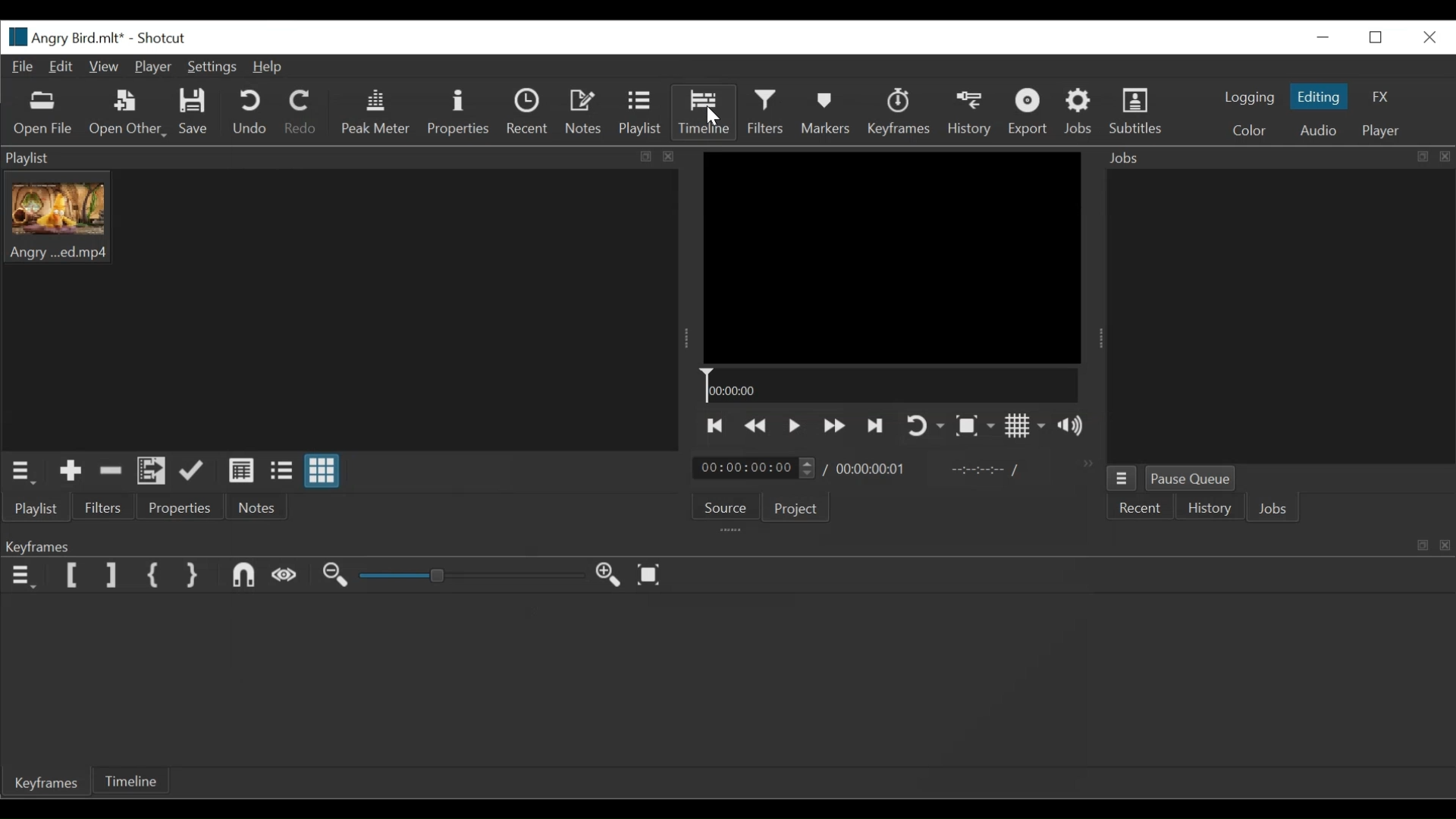 This screenshot has height=819, width=1456. What do you see at coordinates (1122, 479) in the screenshot?
I see `Jobs menu` at bounding box center [1122, 479].